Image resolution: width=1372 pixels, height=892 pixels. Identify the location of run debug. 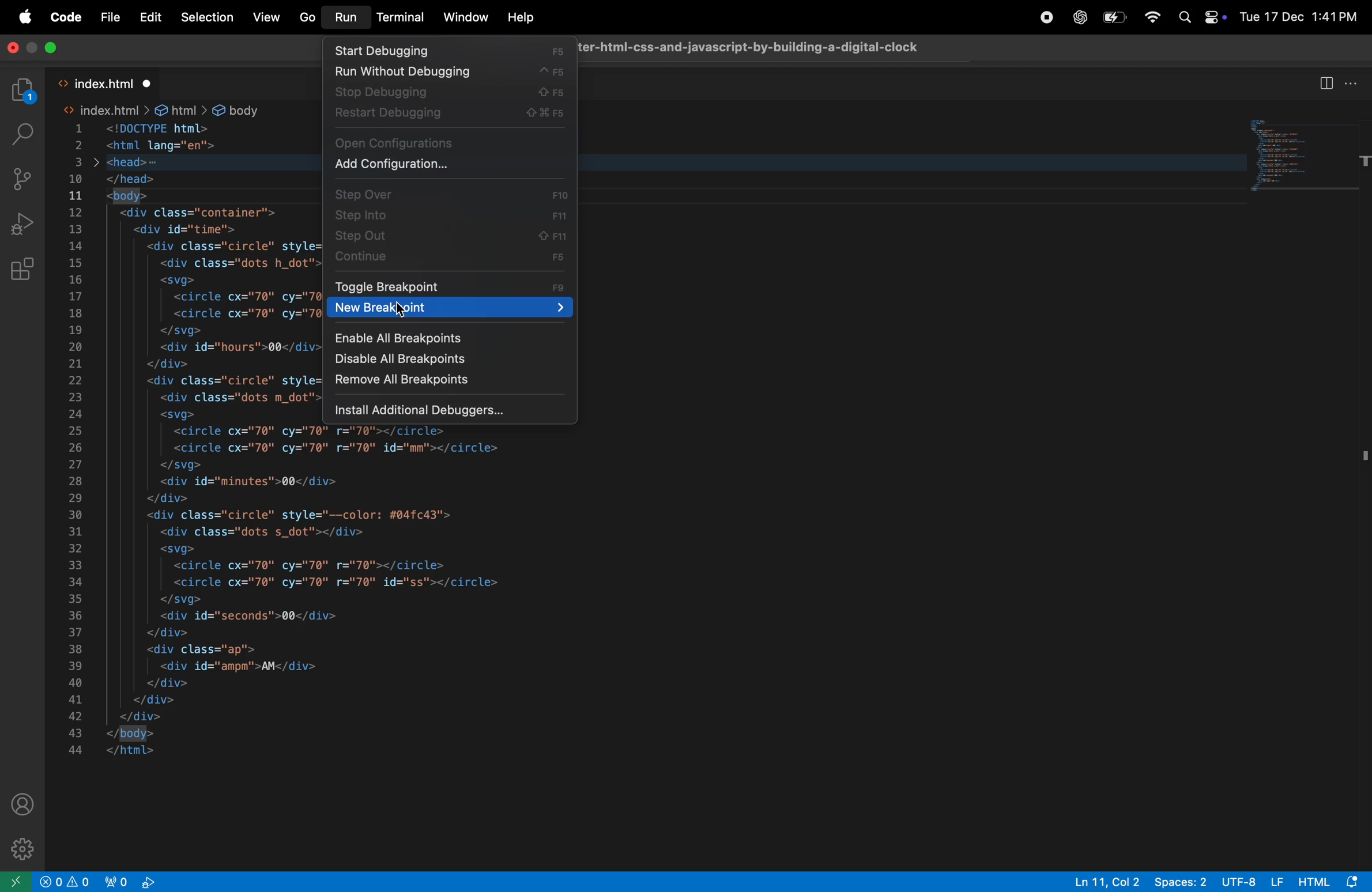
(28, 222).